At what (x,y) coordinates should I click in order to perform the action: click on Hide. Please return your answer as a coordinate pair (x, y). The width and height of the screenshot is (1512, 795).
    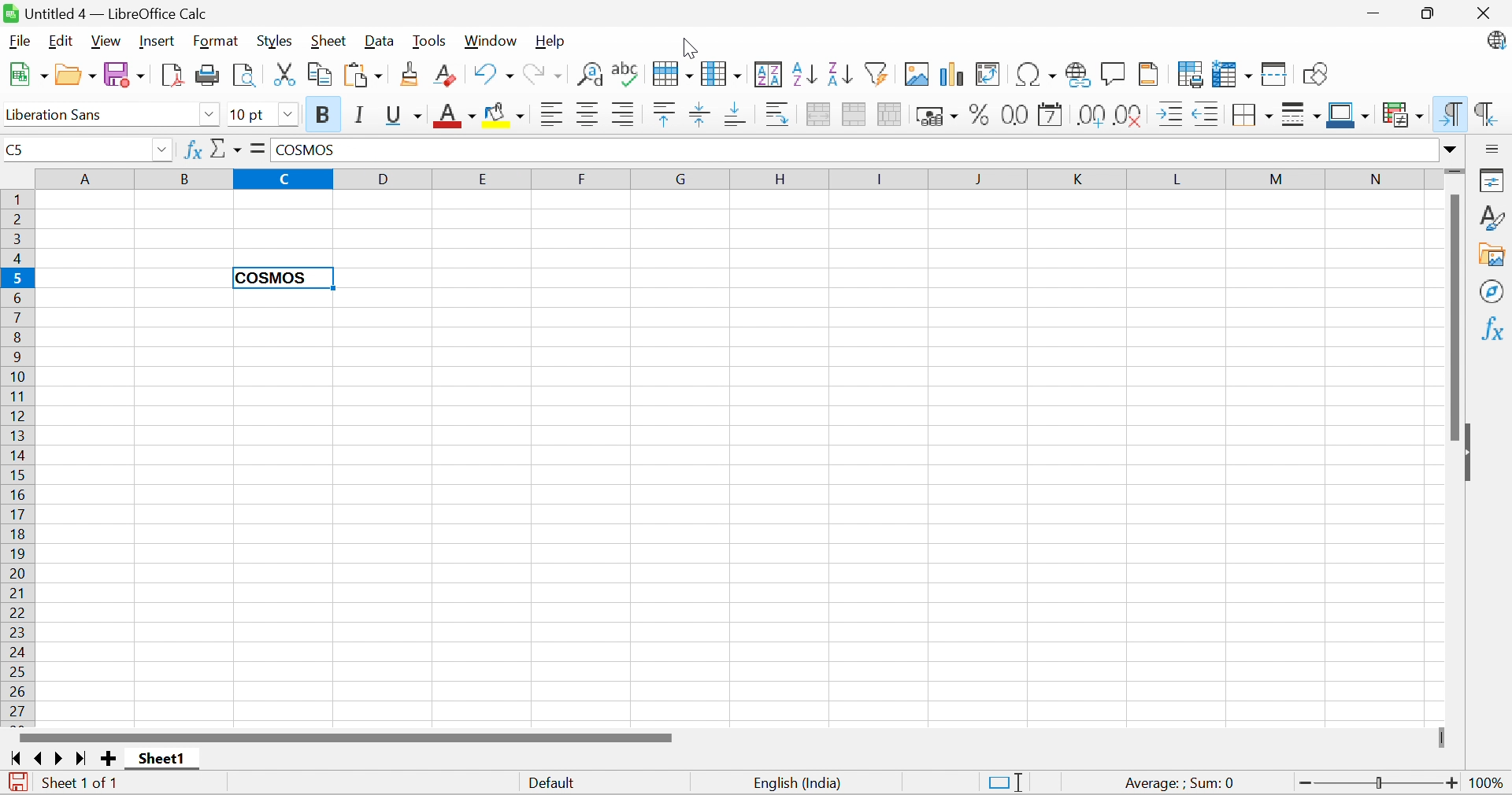
    Looking at the image, I should click on (1473, 452).